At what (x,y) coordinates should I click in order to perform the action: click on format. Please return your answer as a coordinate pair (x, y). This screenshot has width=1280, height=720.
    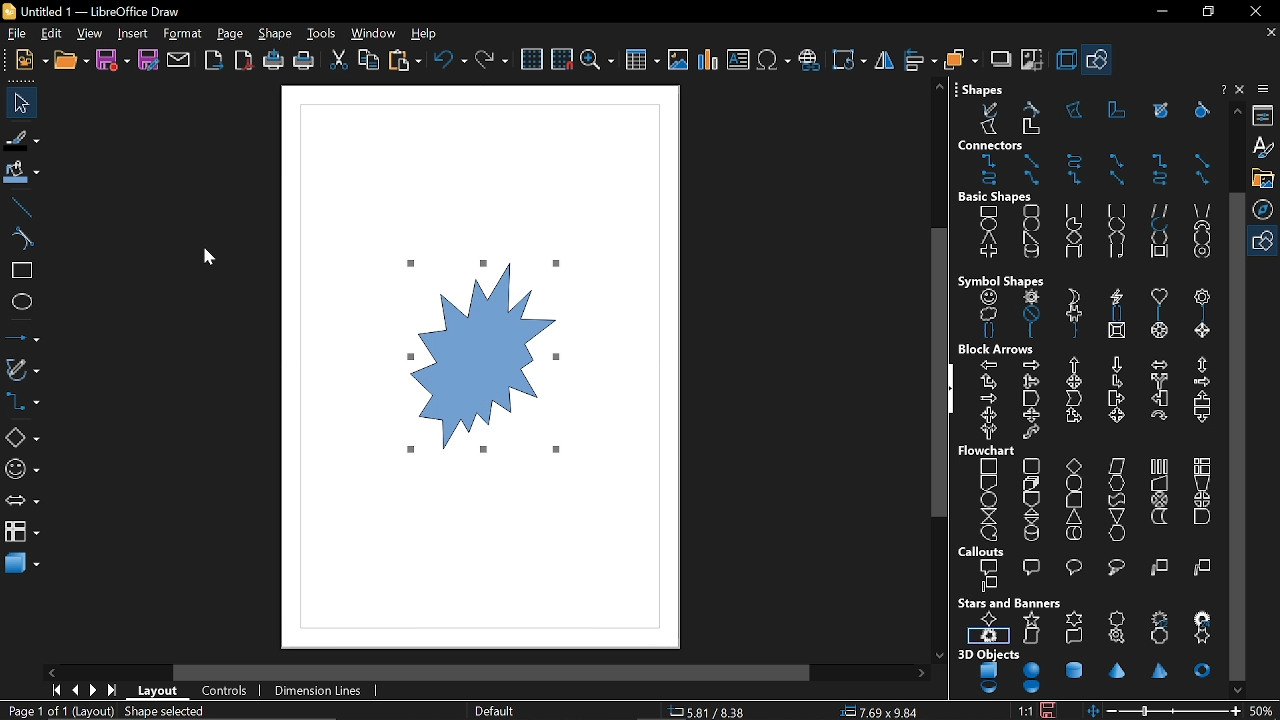
    Looking at the image, I should click on (182, 34).